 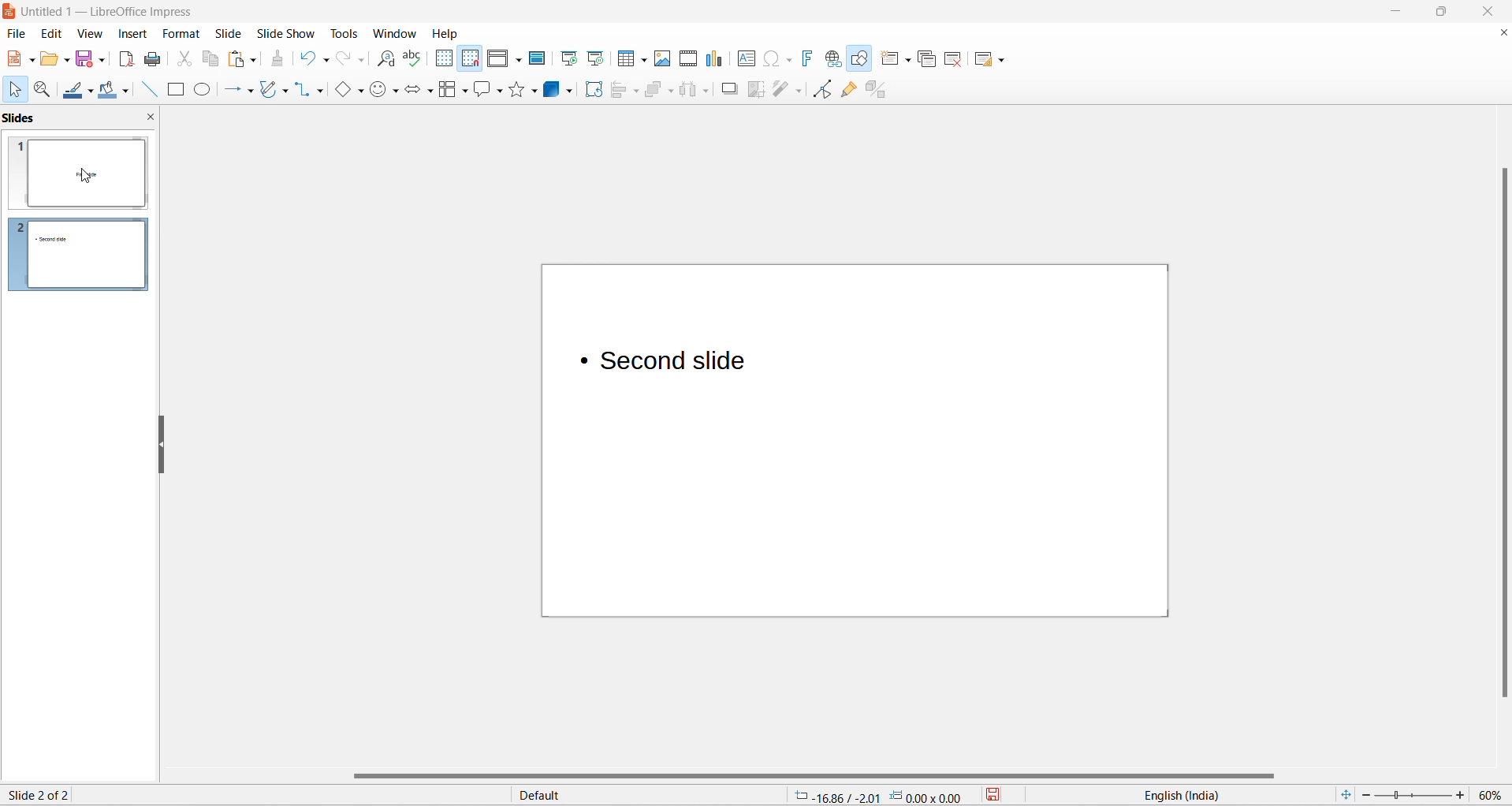 What do you see at coordinates (573, 90) in the screenshot?
I see `3d object options` at bounding box center [573, 90].